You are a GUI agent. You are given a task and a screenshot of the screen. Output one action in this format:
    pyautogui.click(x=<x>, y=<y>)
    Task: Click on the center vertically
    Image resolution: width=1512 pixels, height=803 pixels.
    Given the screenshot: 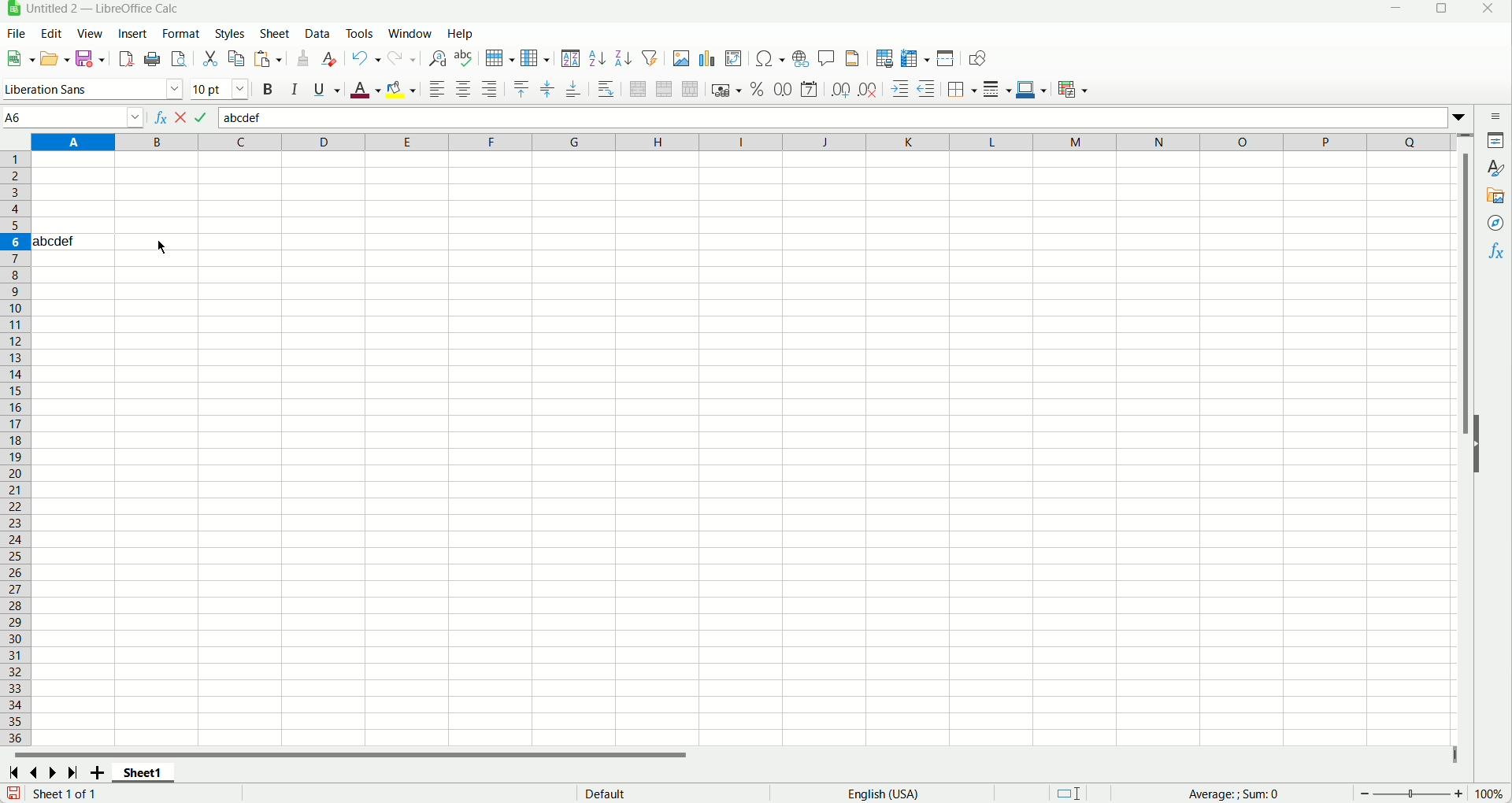 What is the action you would take?
    pyautogui.click(x=547, y=90)
    